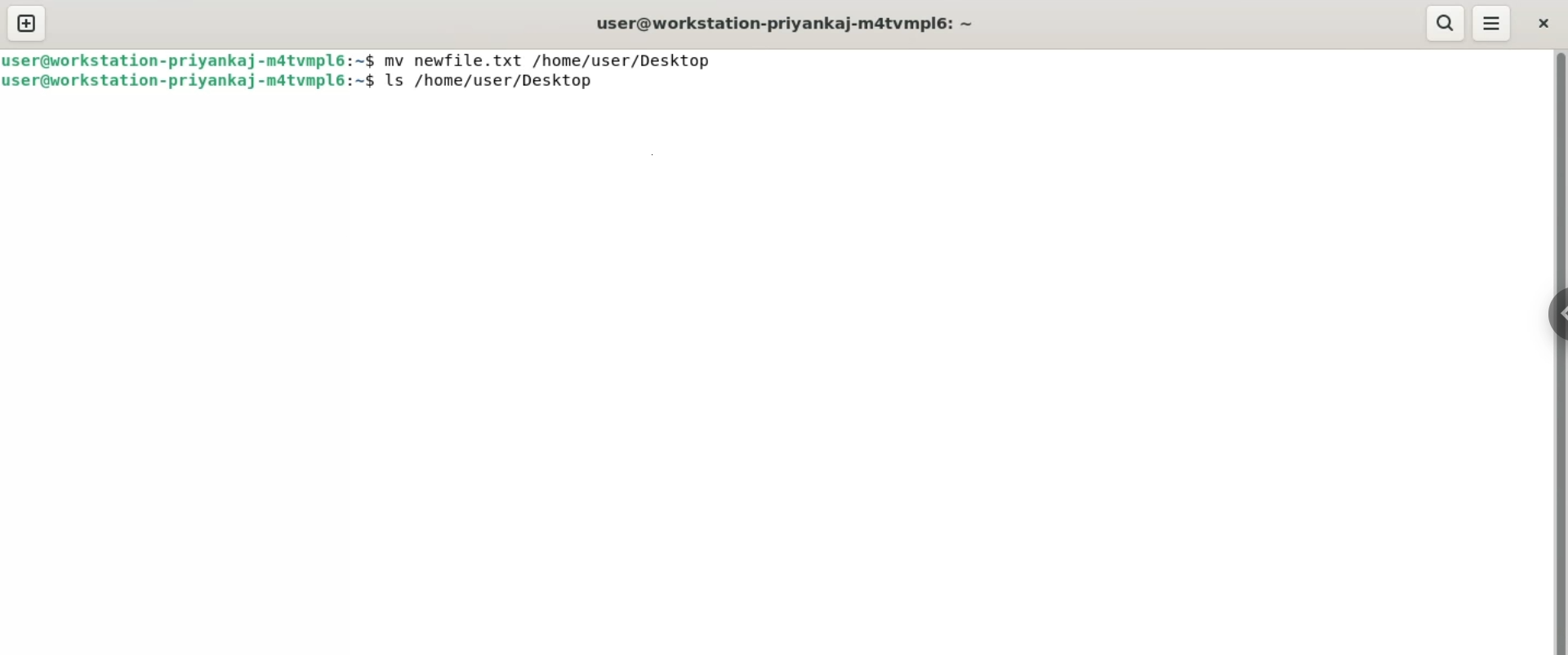 This screenshot has width=1568, height=655. I want to click on ls /home/user/Desktop, so click(495, 82).